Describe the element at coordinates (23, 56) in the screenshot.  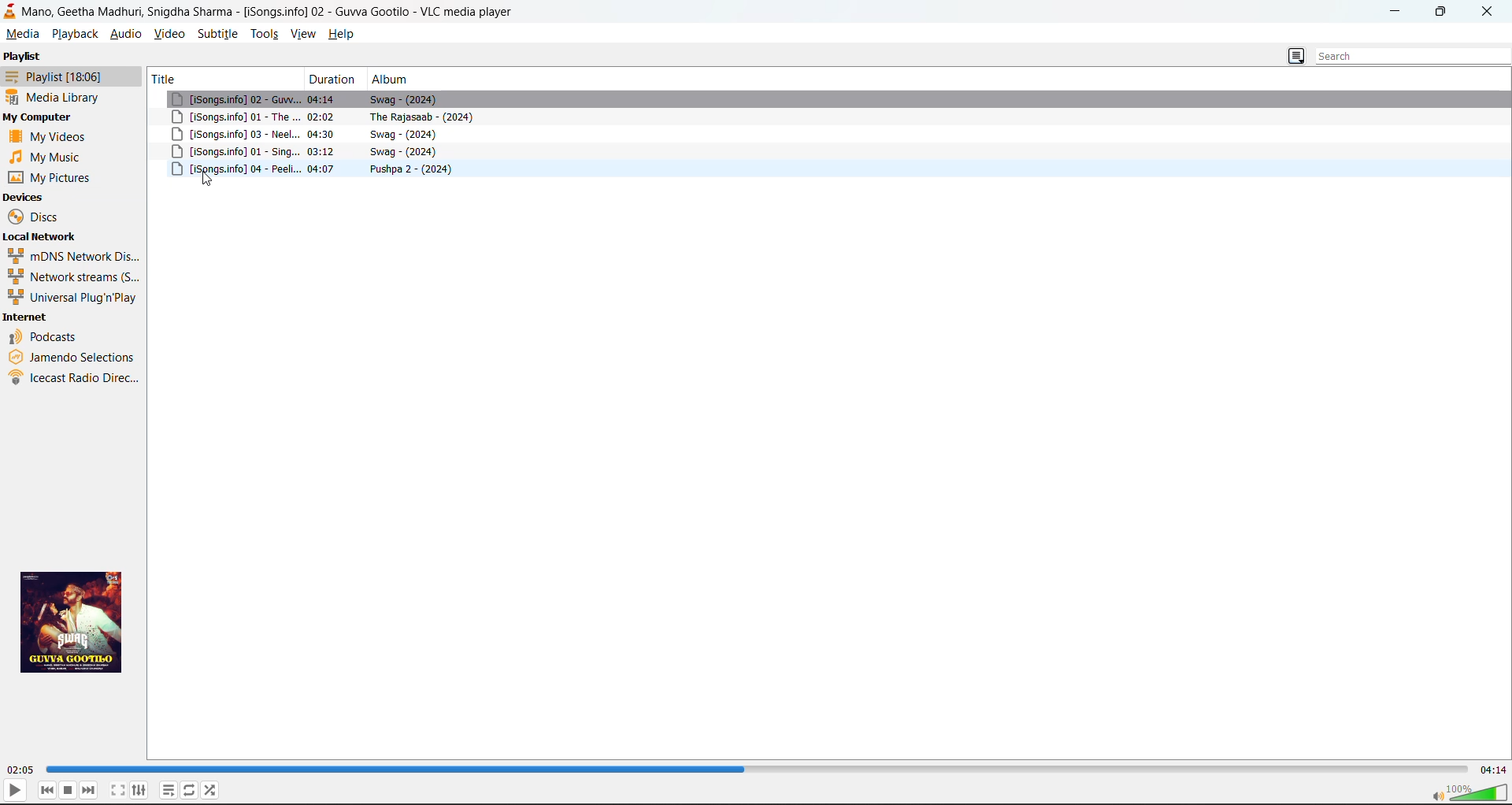
I see `playlist` at that location.